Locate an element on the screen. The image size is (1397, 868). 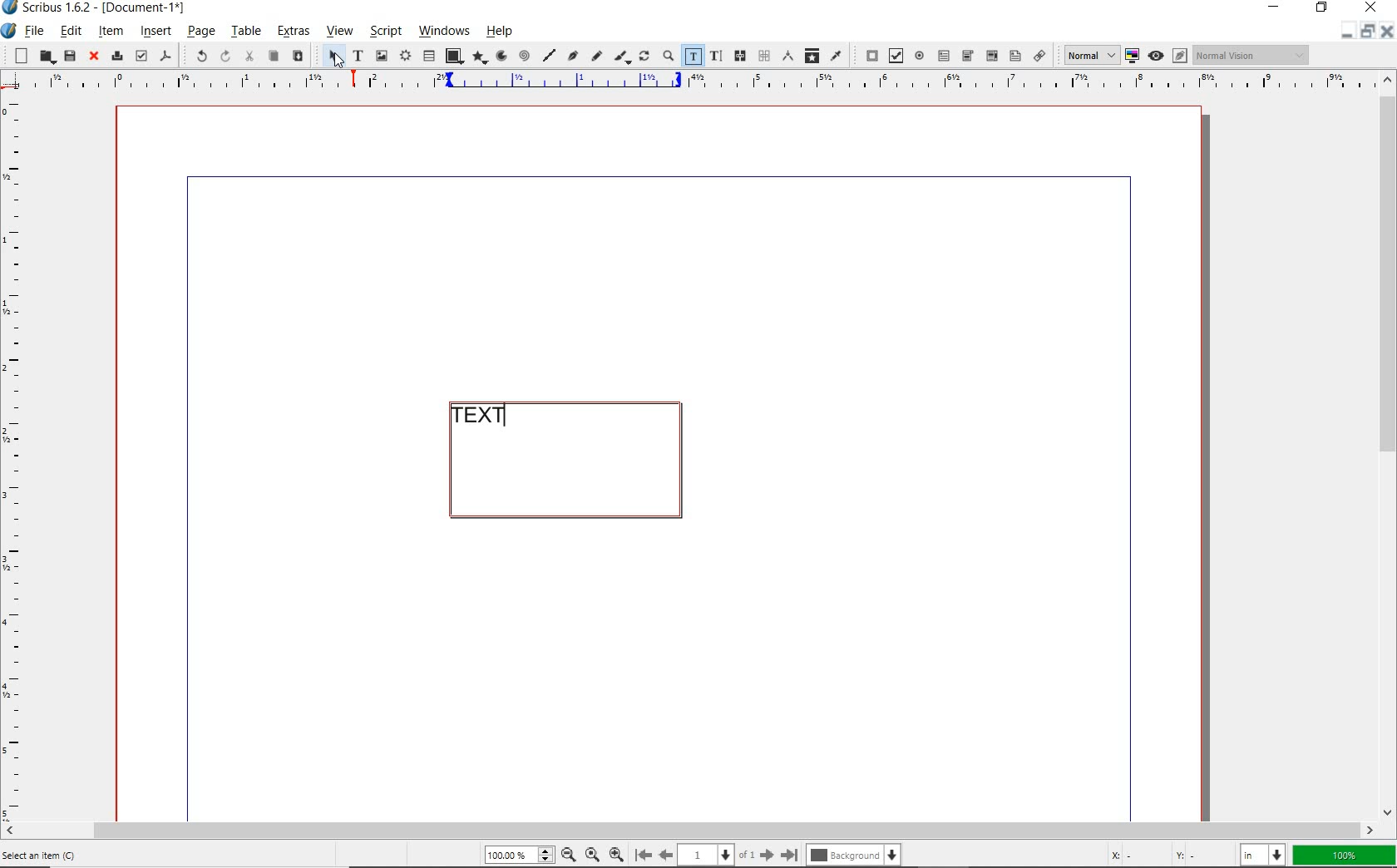
line is located at coordinates (549, 54).